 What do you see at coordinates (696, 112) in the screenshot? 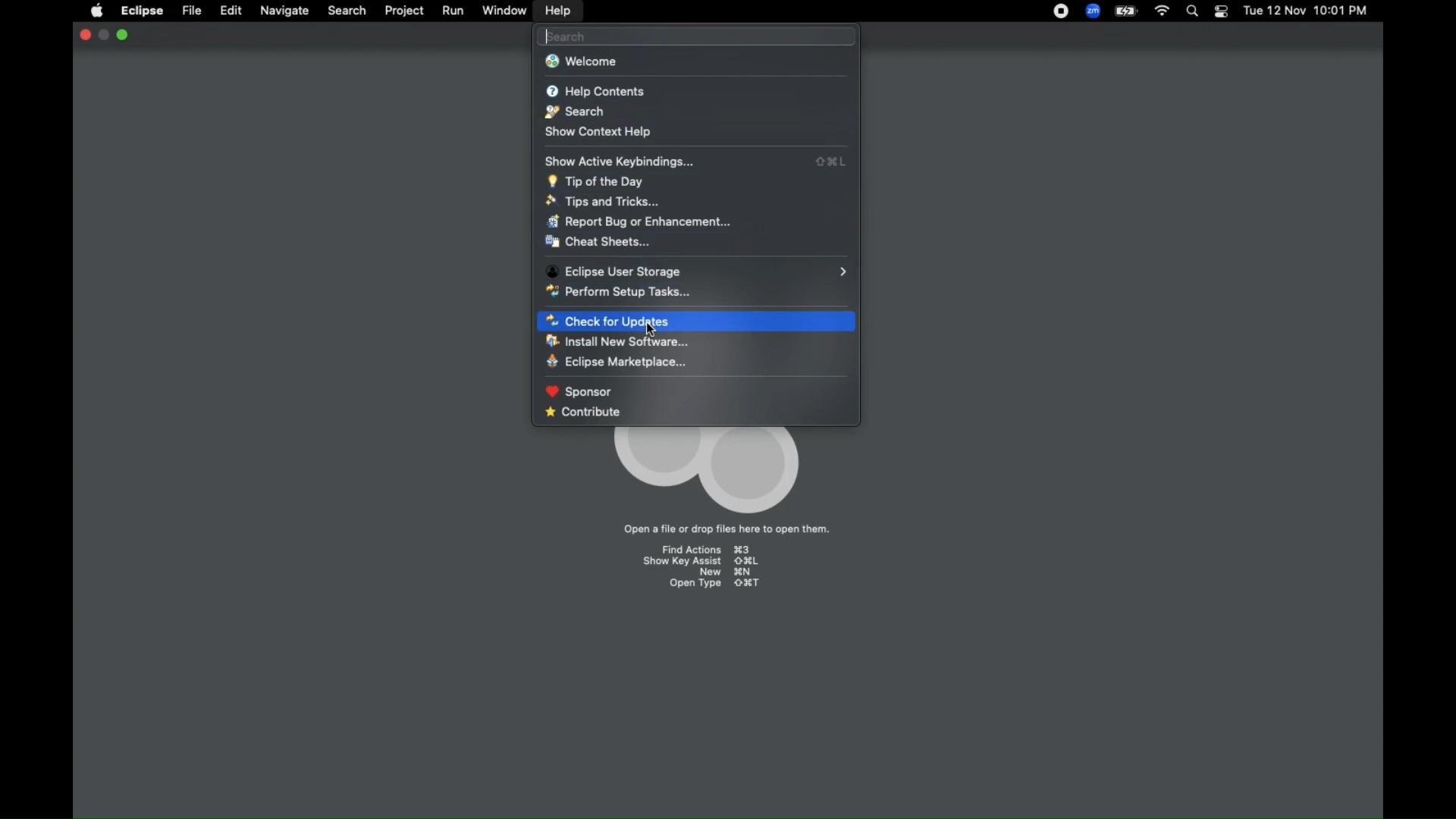
I see `Search` at bounding box center [696, 112].